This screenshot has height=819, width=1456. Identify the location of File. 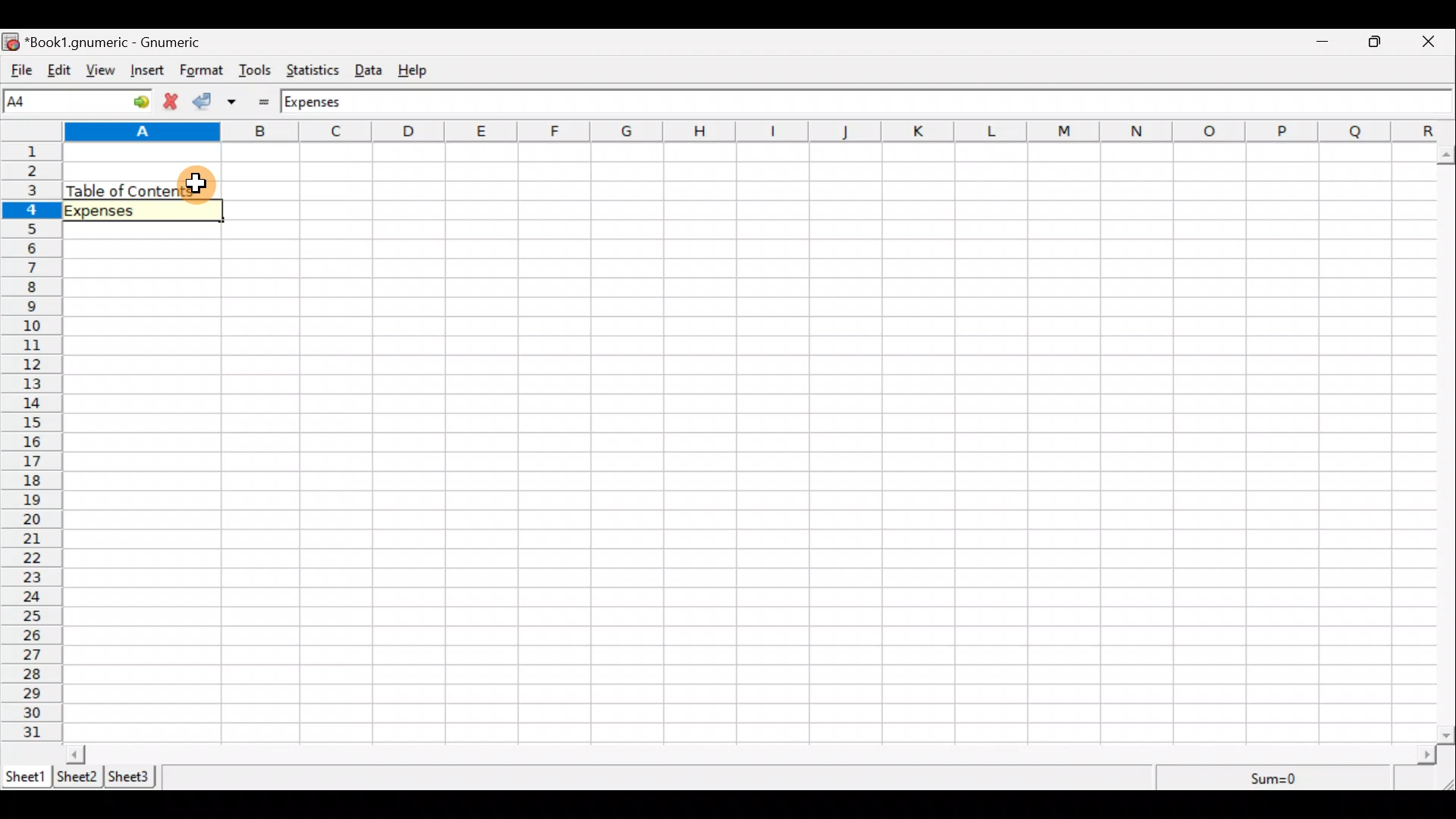
(19, 71).